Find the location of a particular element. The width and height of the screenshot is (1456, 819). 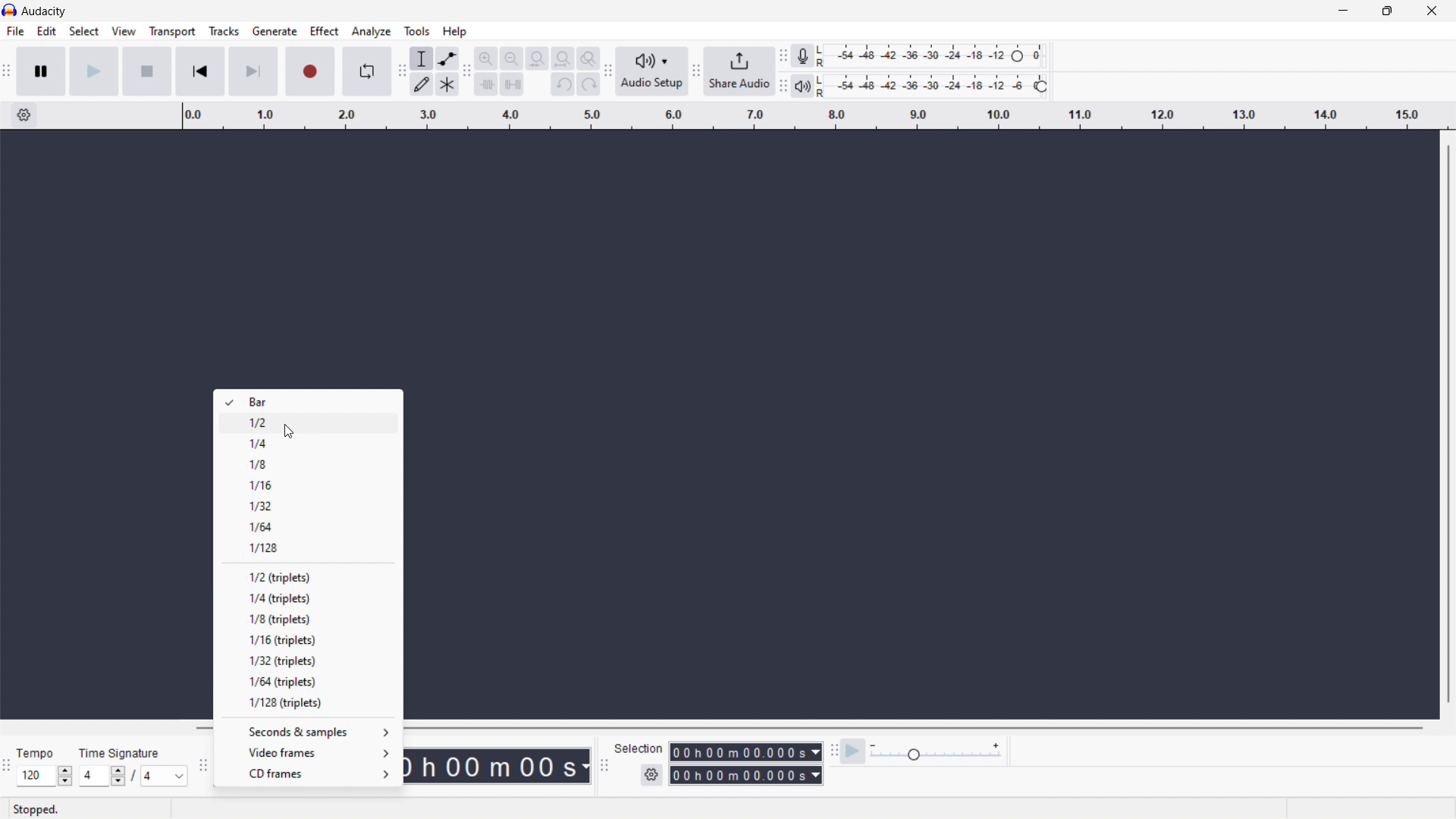

play at speed toolbar is located at coordinates (832, 752).